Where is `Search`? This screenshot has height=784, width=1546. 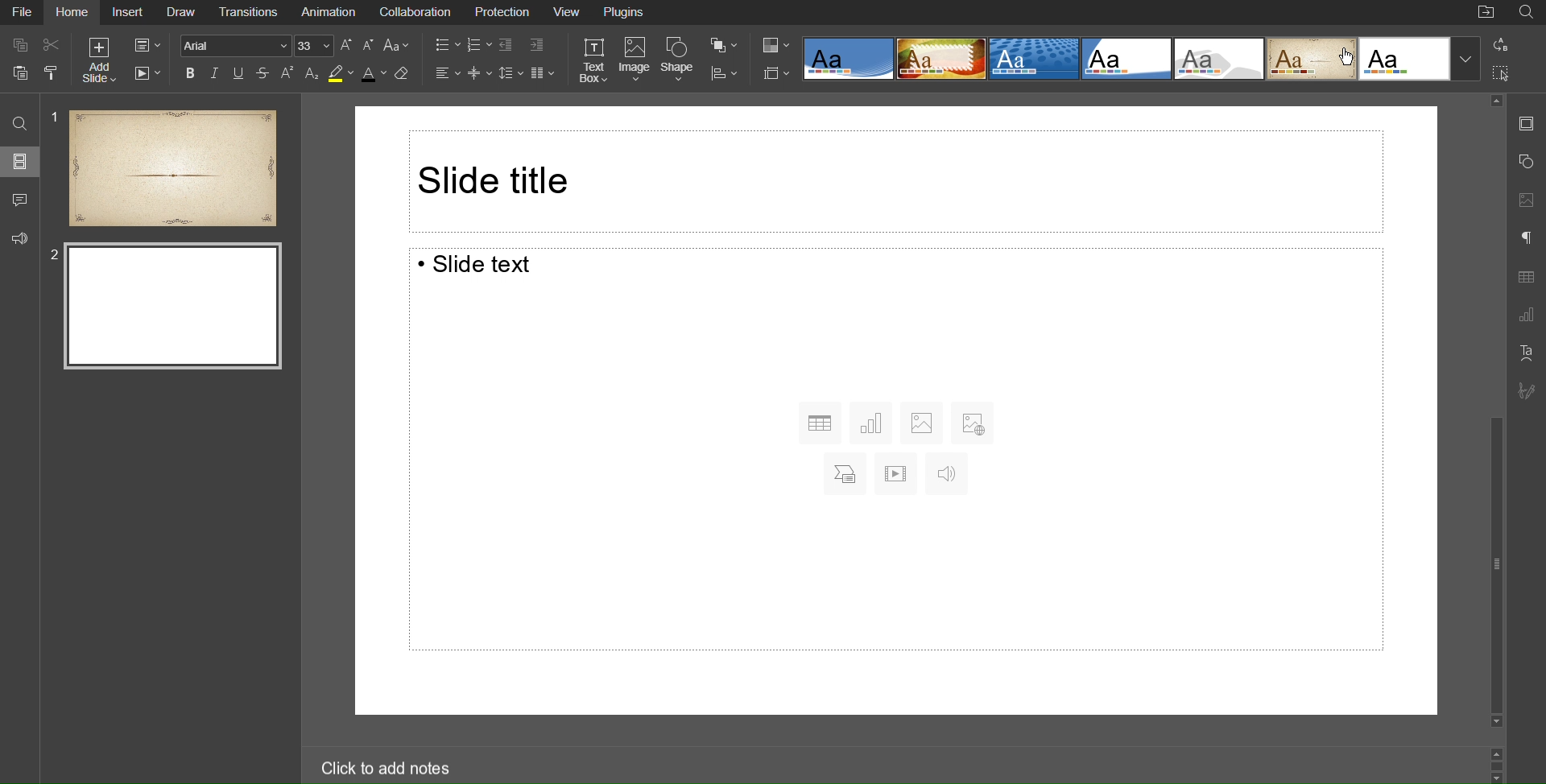
Search is located at coordinates (1527, 12).